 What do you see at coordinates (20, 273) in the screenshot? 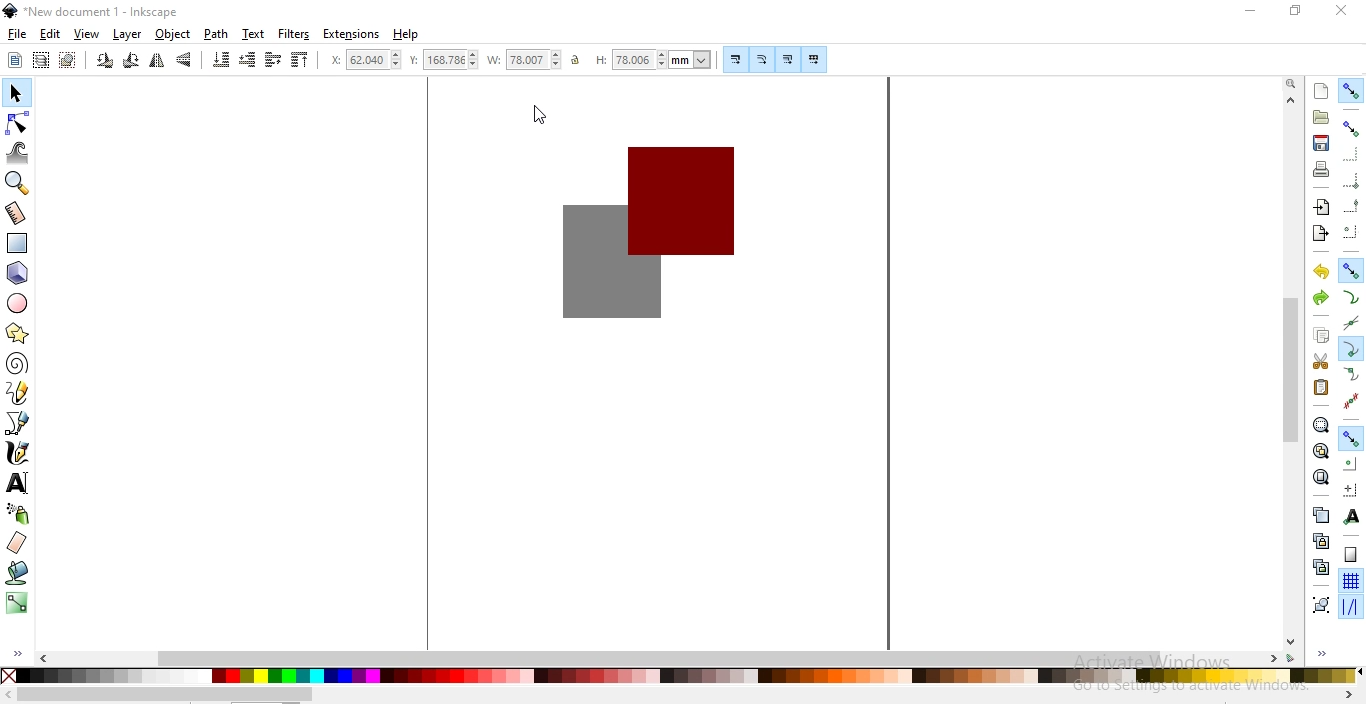
I see `create 3d box` at bounding box center [20, 273].